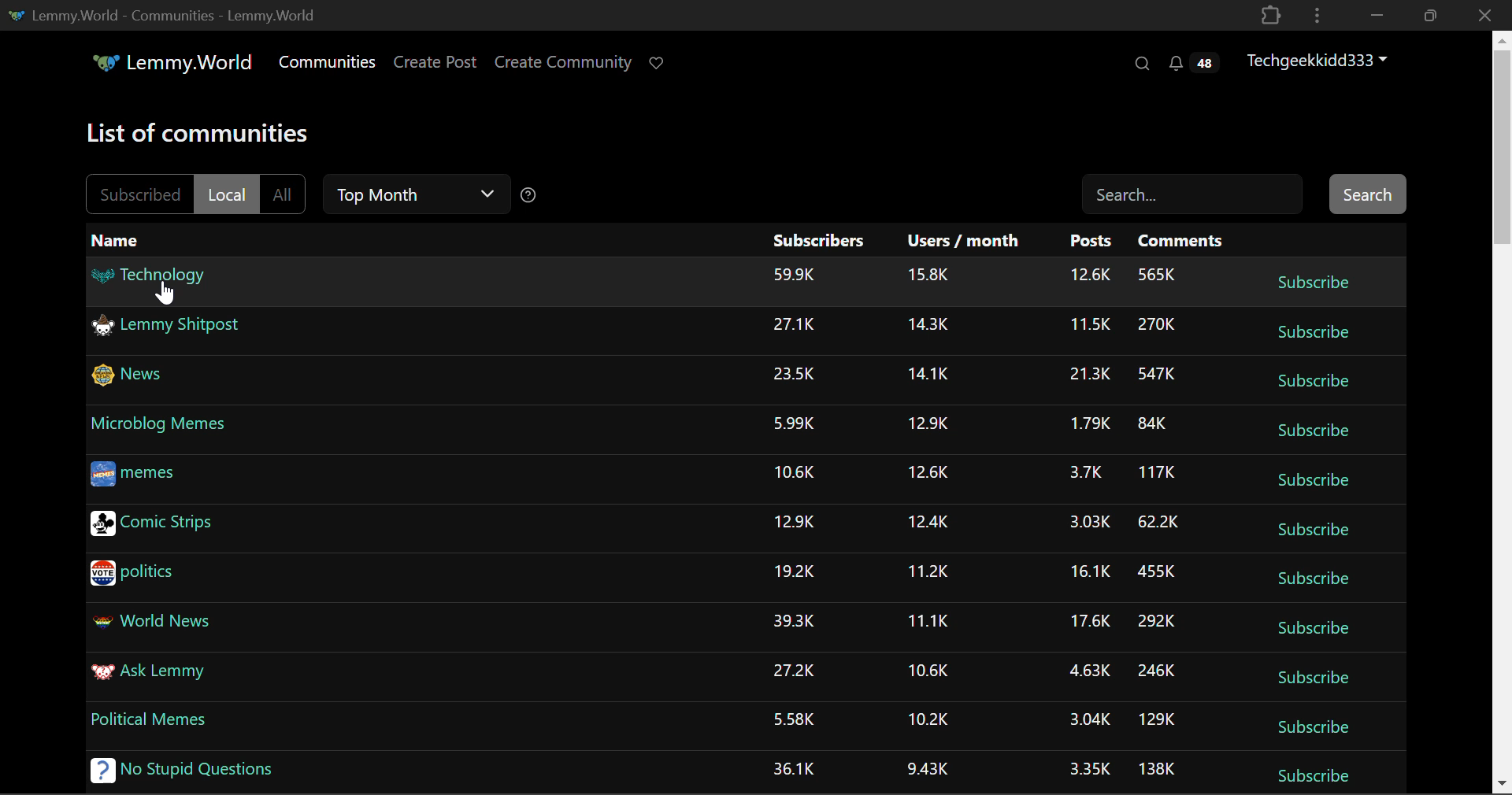 The height and width of the screenshot is (795, 1512). Describe the element at coordinates (1270, 14) in the screenshot. I see `Extensions` at that location.